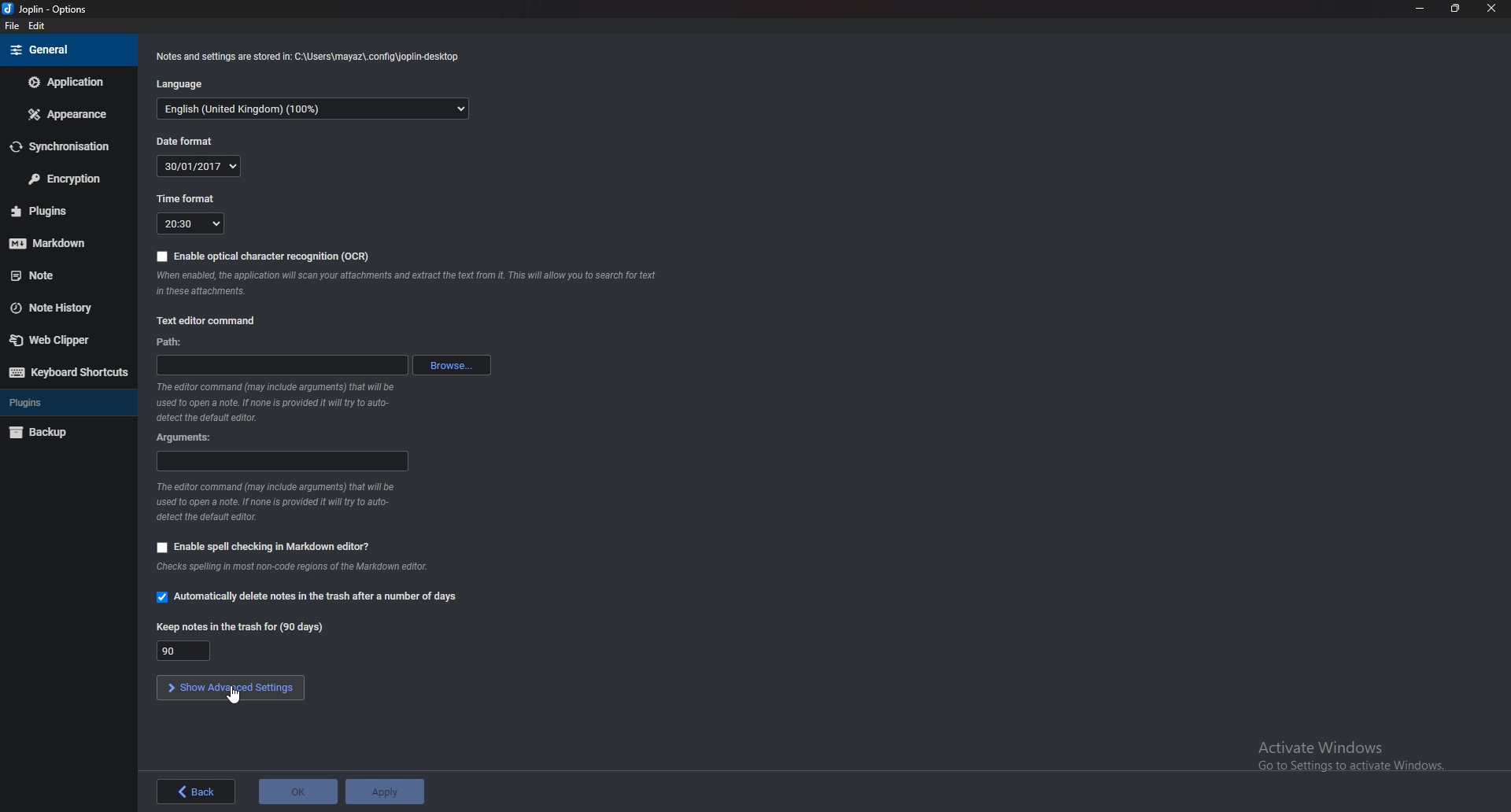 This screenshot has width=1511, height=812. I want to click on back, so click(197, 792).